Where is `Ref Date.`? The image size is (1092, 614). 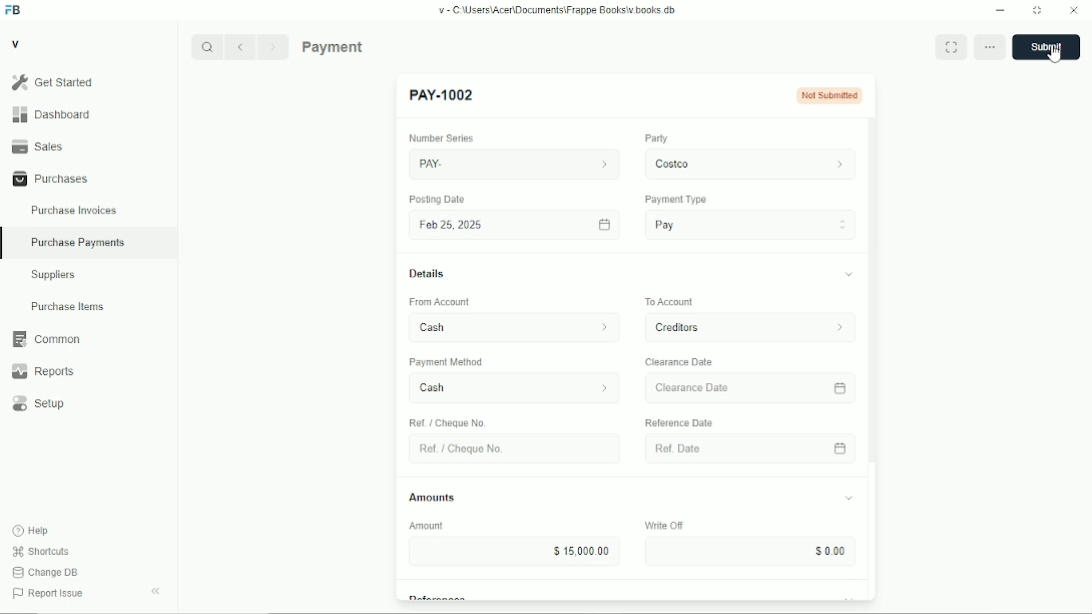 Ref Date. is located at coordinates (738, 447).